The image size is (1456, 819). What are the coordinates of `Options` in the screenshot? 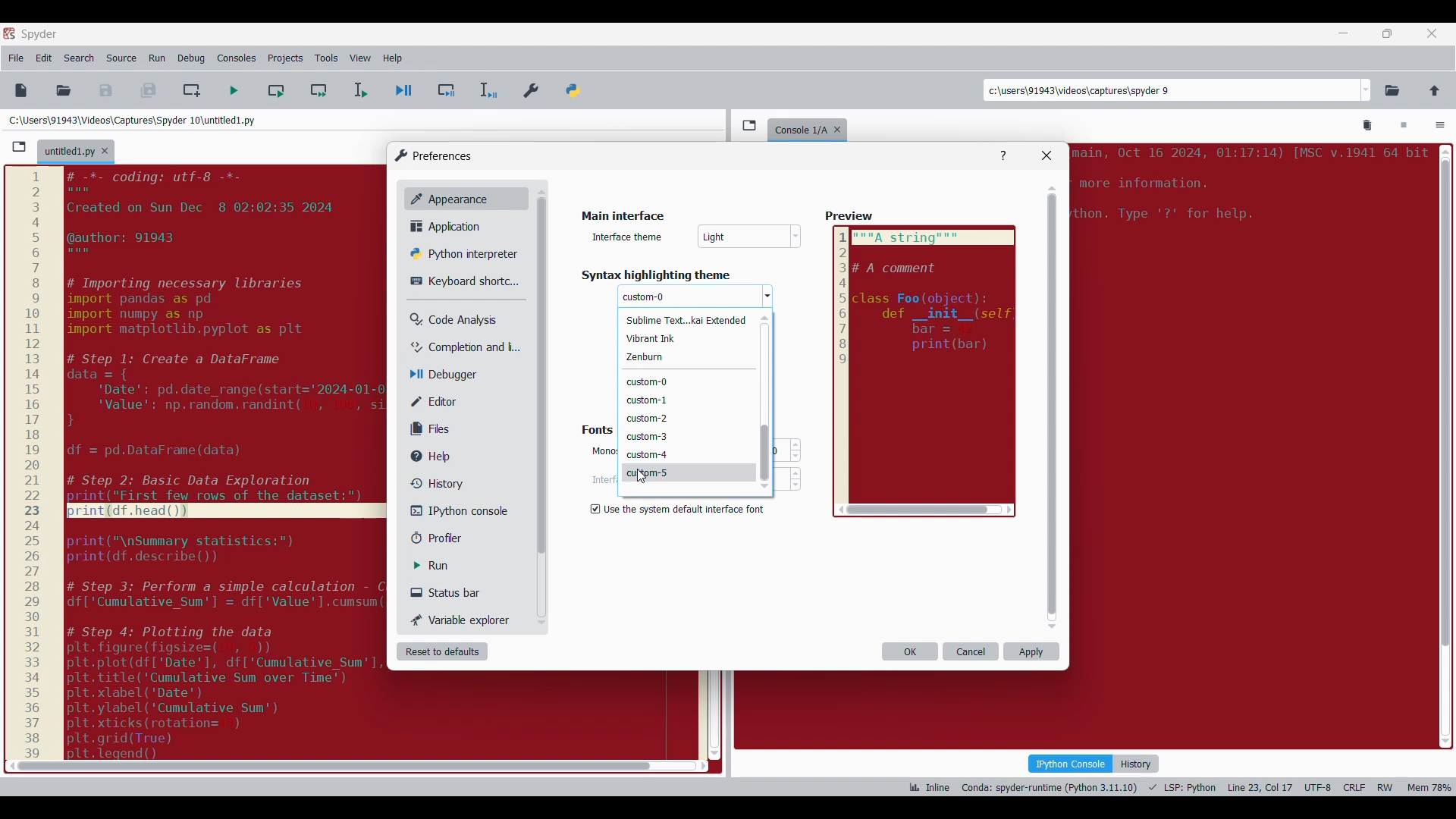 It's located at (1440, 127).